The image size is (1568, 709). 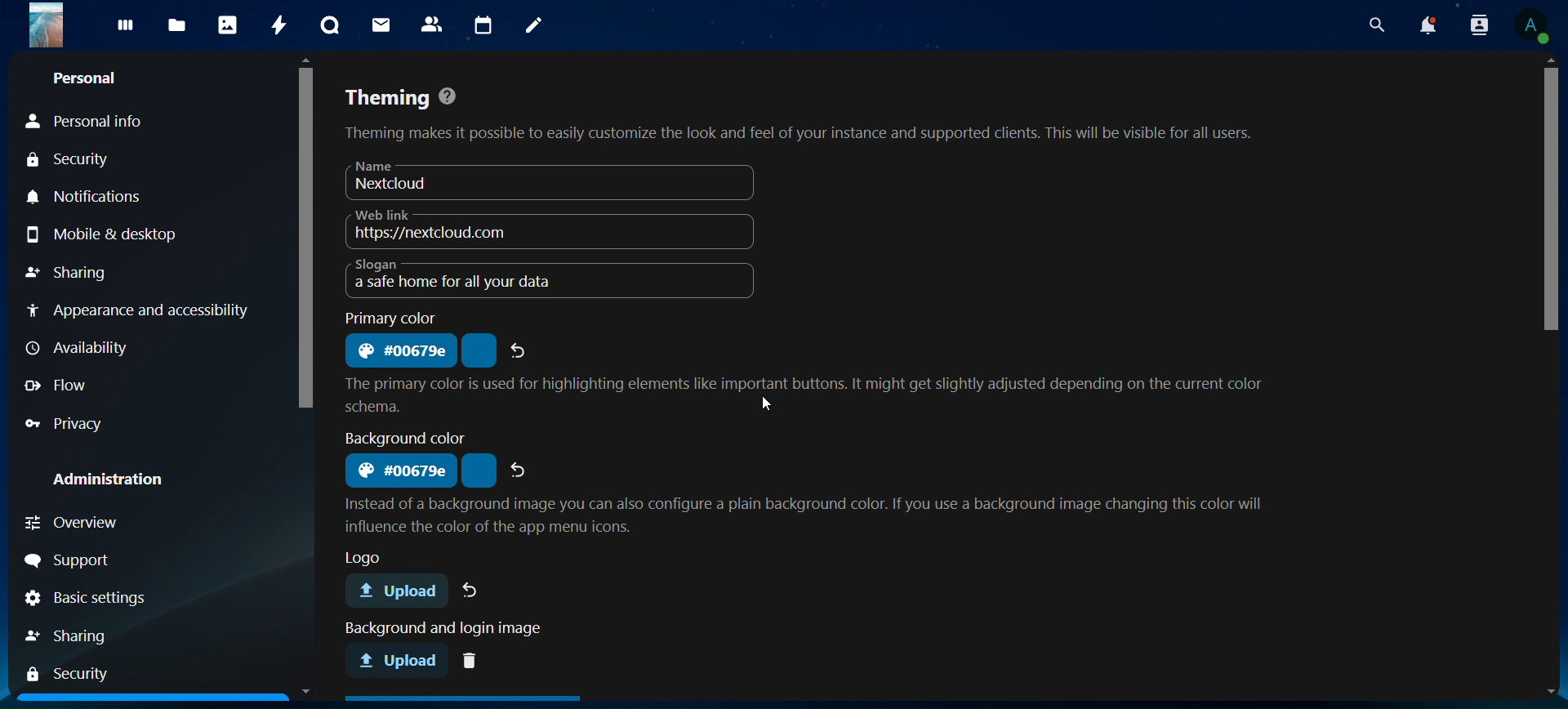 What do you see at coordinates (303, 239) in the screenshot?
I see `scroll bar` at bounding box center [303, 239].